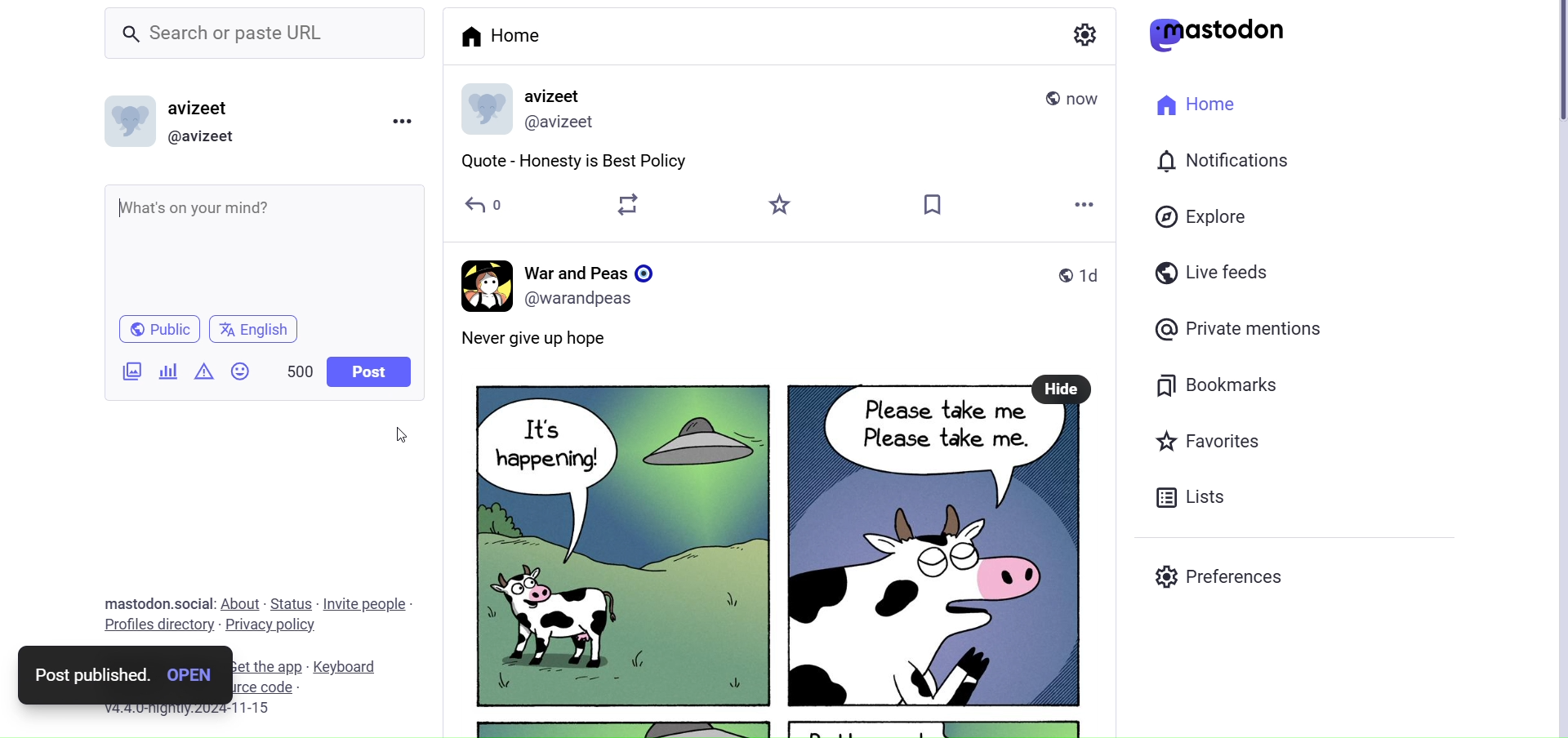  What do you see at coordinates (154, 624) in the screenshot?
I see `profiles directory` at bounding box center [154, 624].